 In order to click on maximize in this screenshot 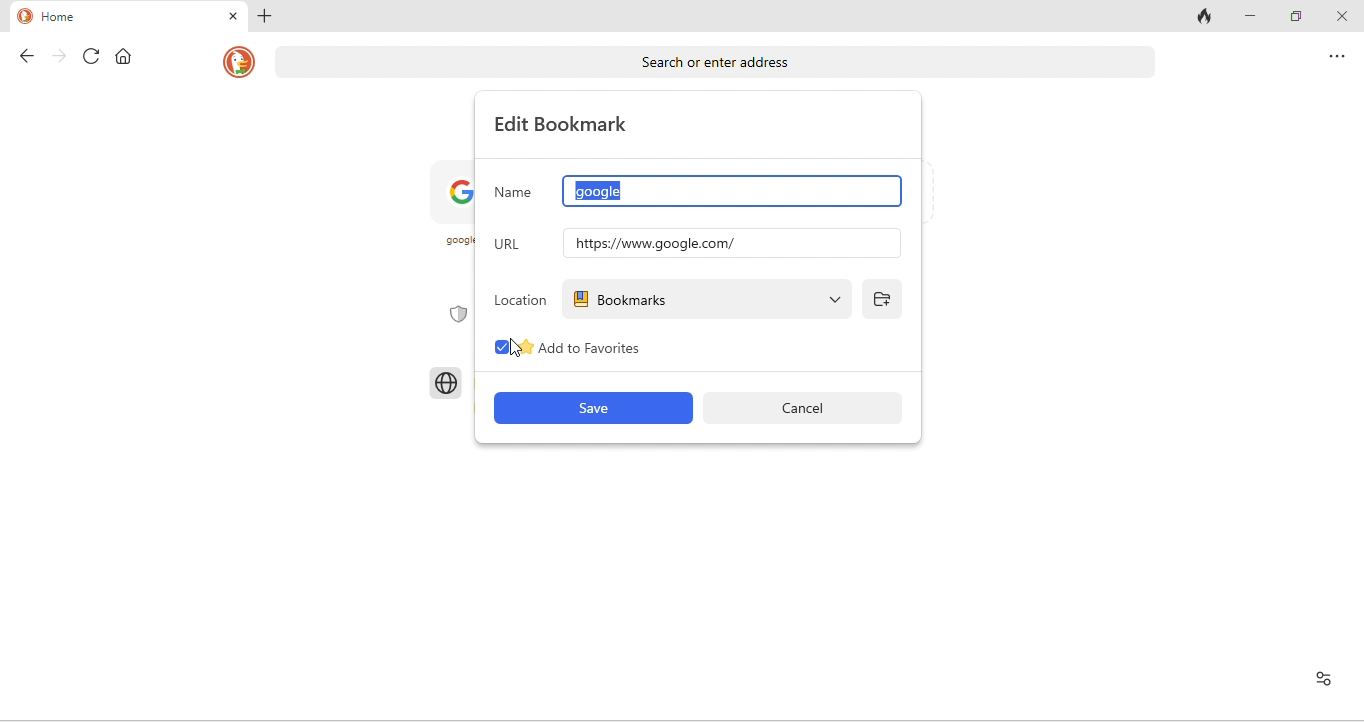, I will do `click(1293, 16)`.